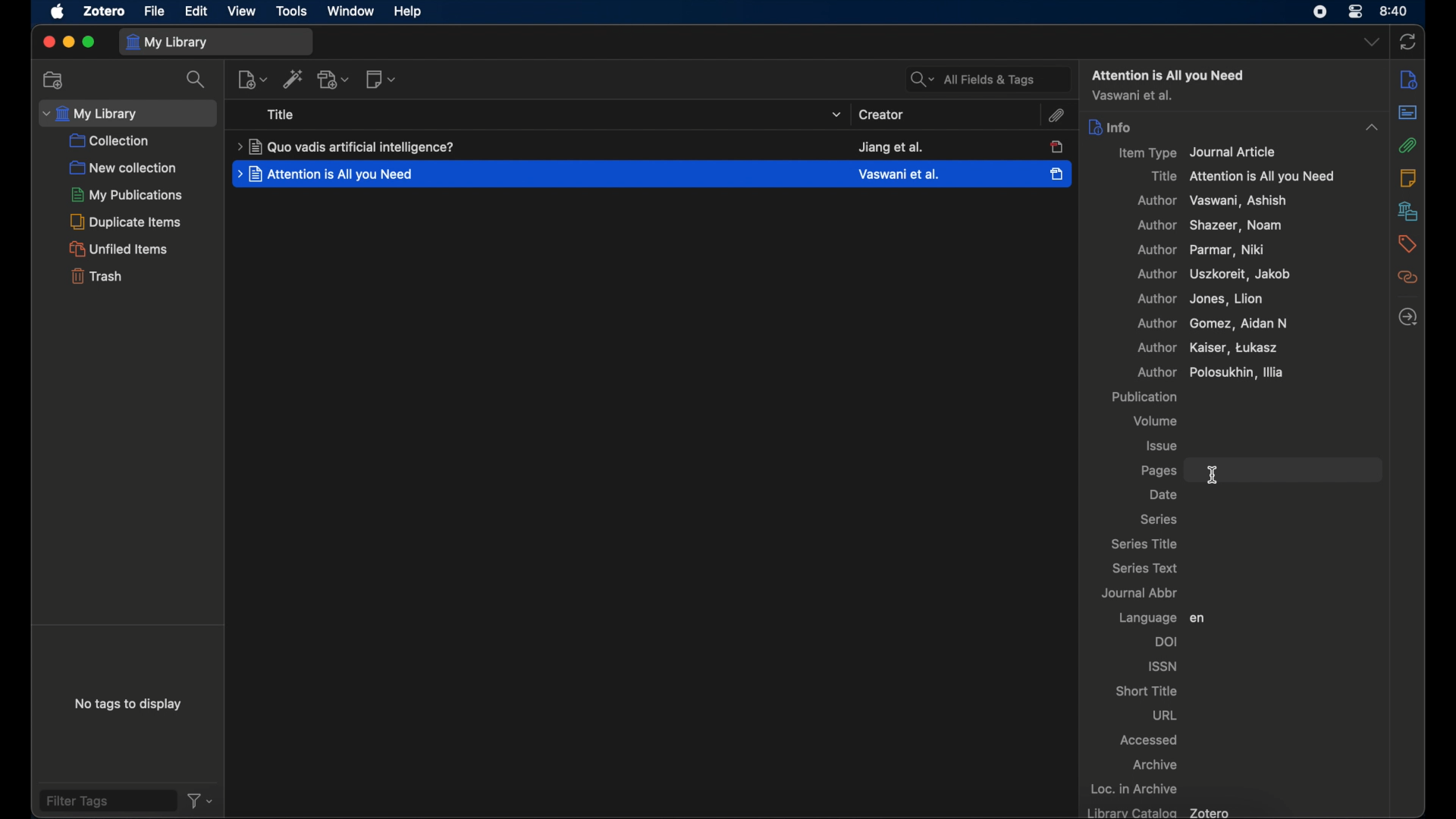  I want to click on new item, so click(252, 79).